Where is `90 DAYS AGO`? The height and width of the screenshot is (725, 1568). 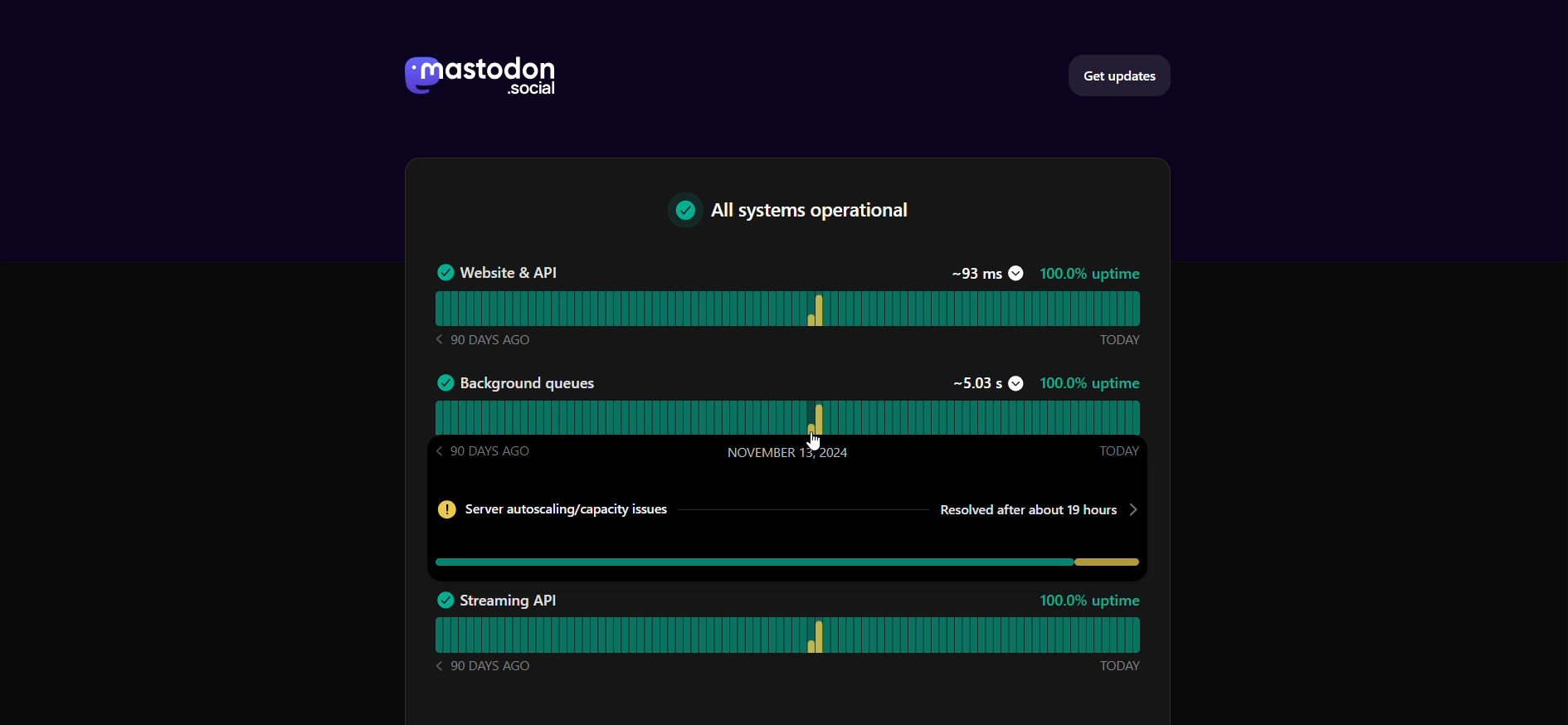
90 DAYS AGO is located at coordinates (486, 666).